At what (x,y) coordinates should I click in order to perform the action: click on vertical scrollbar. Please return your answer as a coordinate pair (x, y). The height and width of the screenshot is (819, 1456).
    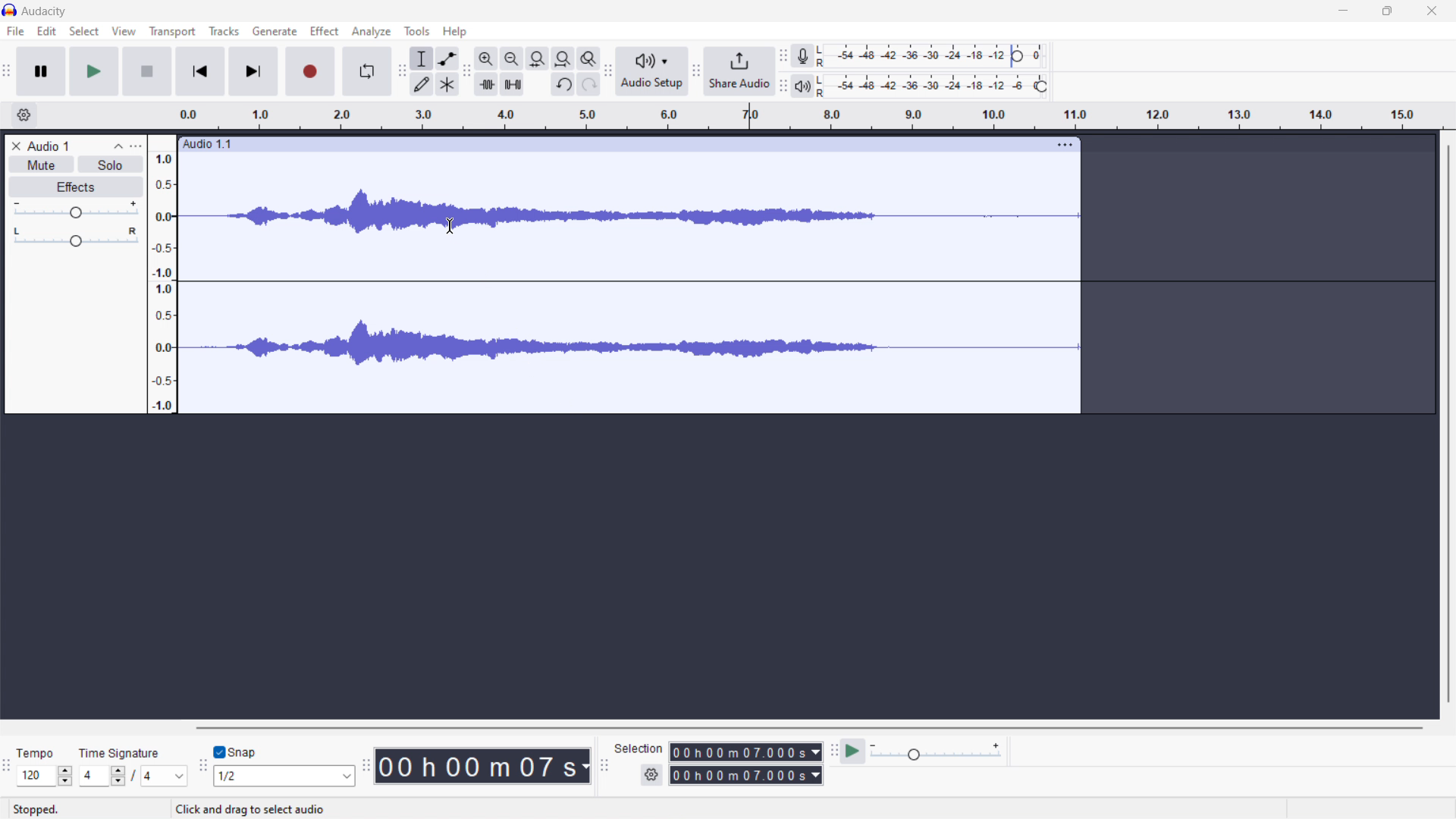
    Looking at the image, I should click on (1447, 425).